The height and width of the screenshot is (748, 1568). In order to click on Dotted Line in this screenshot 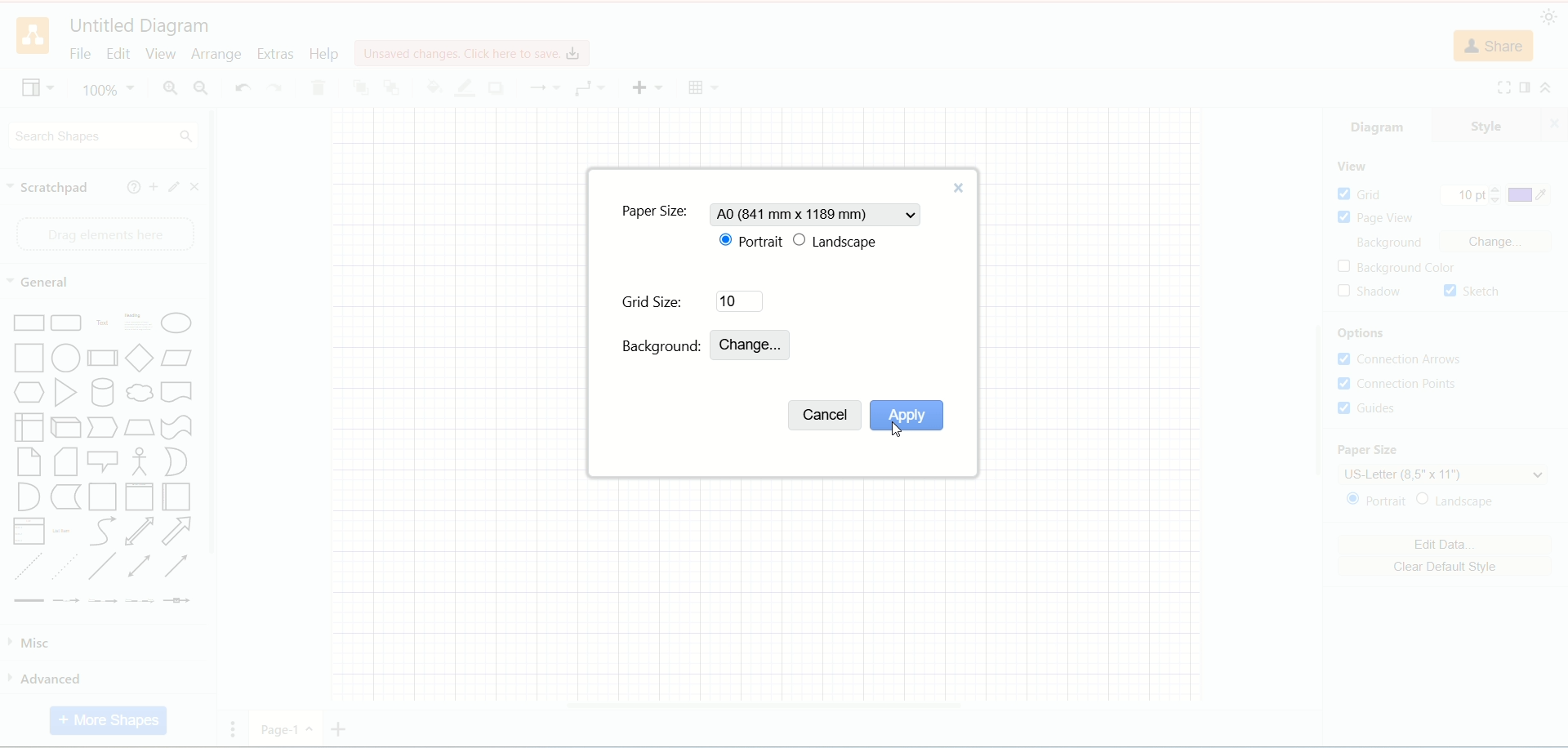, I will do `click(65, 567)`.